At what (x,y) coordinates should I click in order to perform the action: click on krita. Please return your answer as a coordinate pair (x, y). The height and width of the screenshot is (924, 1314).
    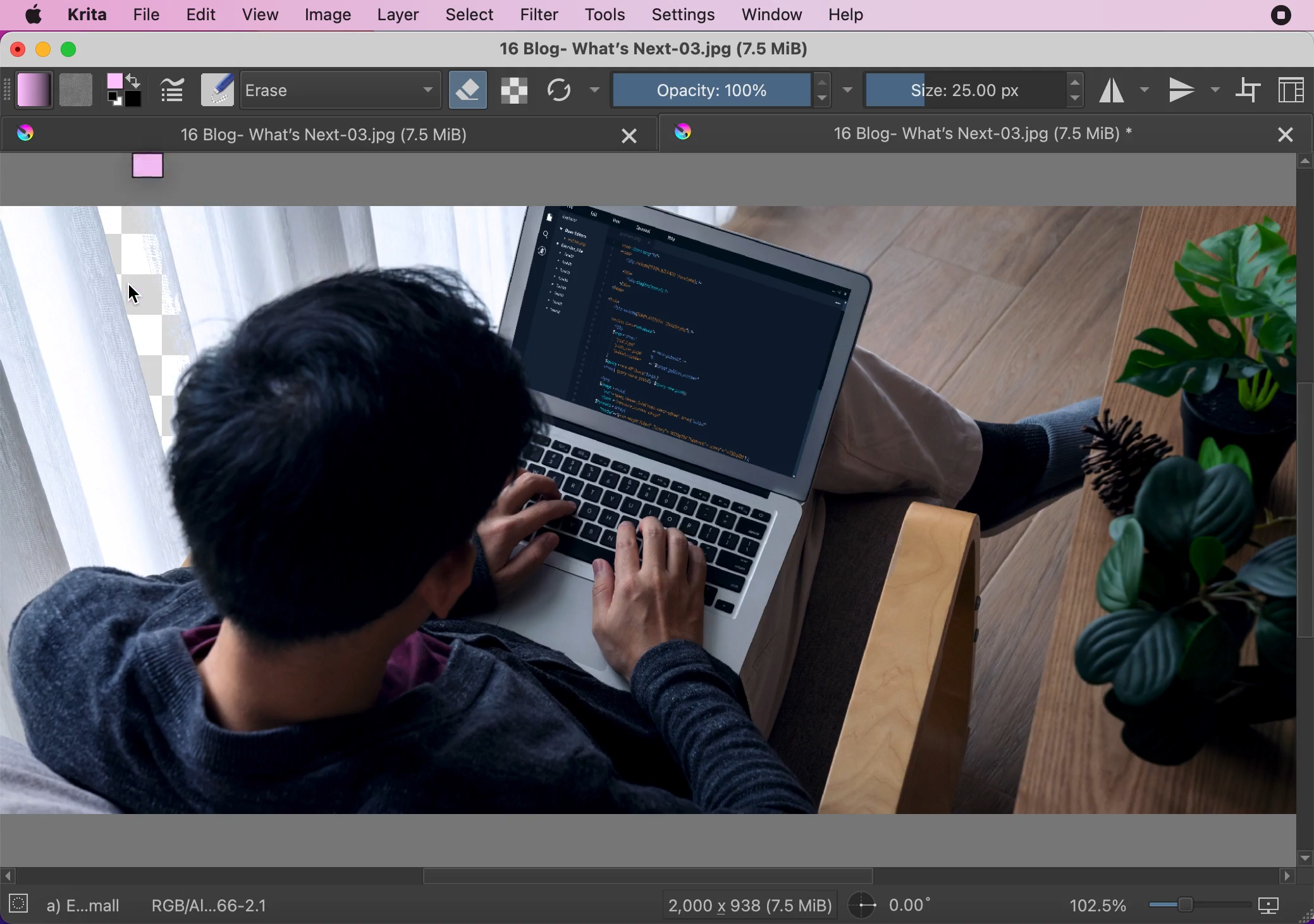
    Looking at the image, I should click on (90, 13).